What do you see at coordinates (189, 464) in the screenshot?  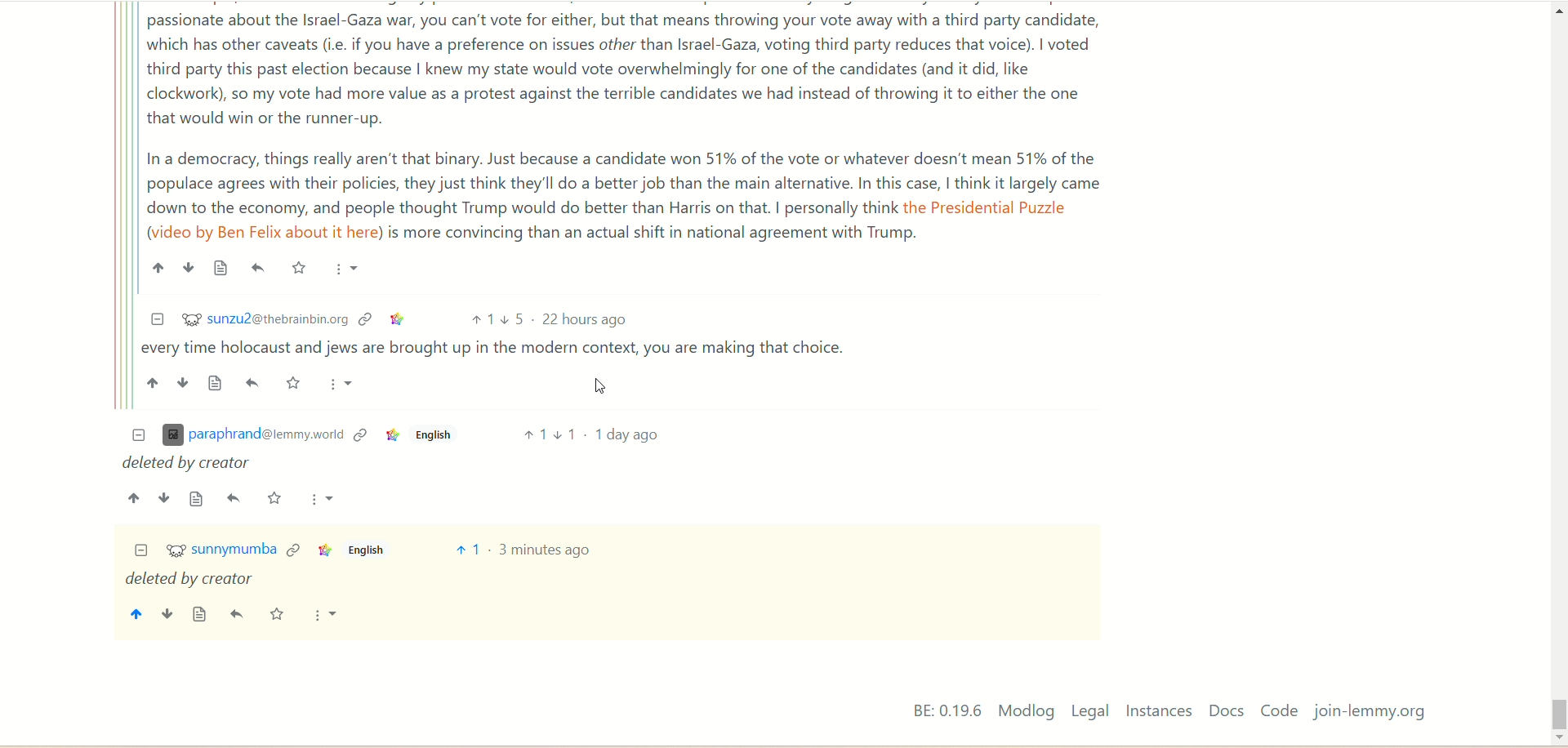 I see `deleted by creator` at bounding box center [189, 464].